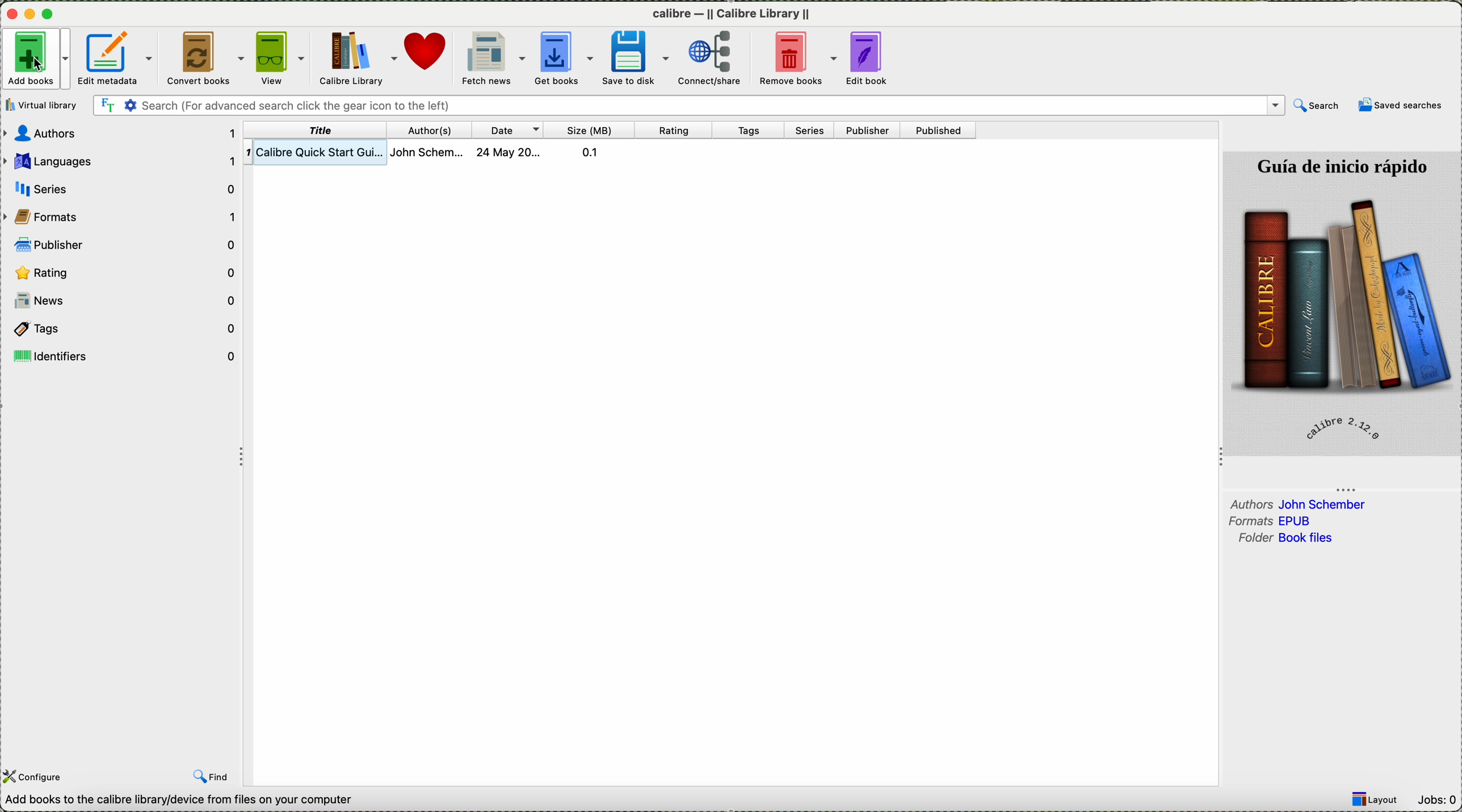 Image resolution: width=1462 pixels, height=812 pixels. Describe the element at coordinates (751, 131) in the screenshot. I see `tags` at that location.